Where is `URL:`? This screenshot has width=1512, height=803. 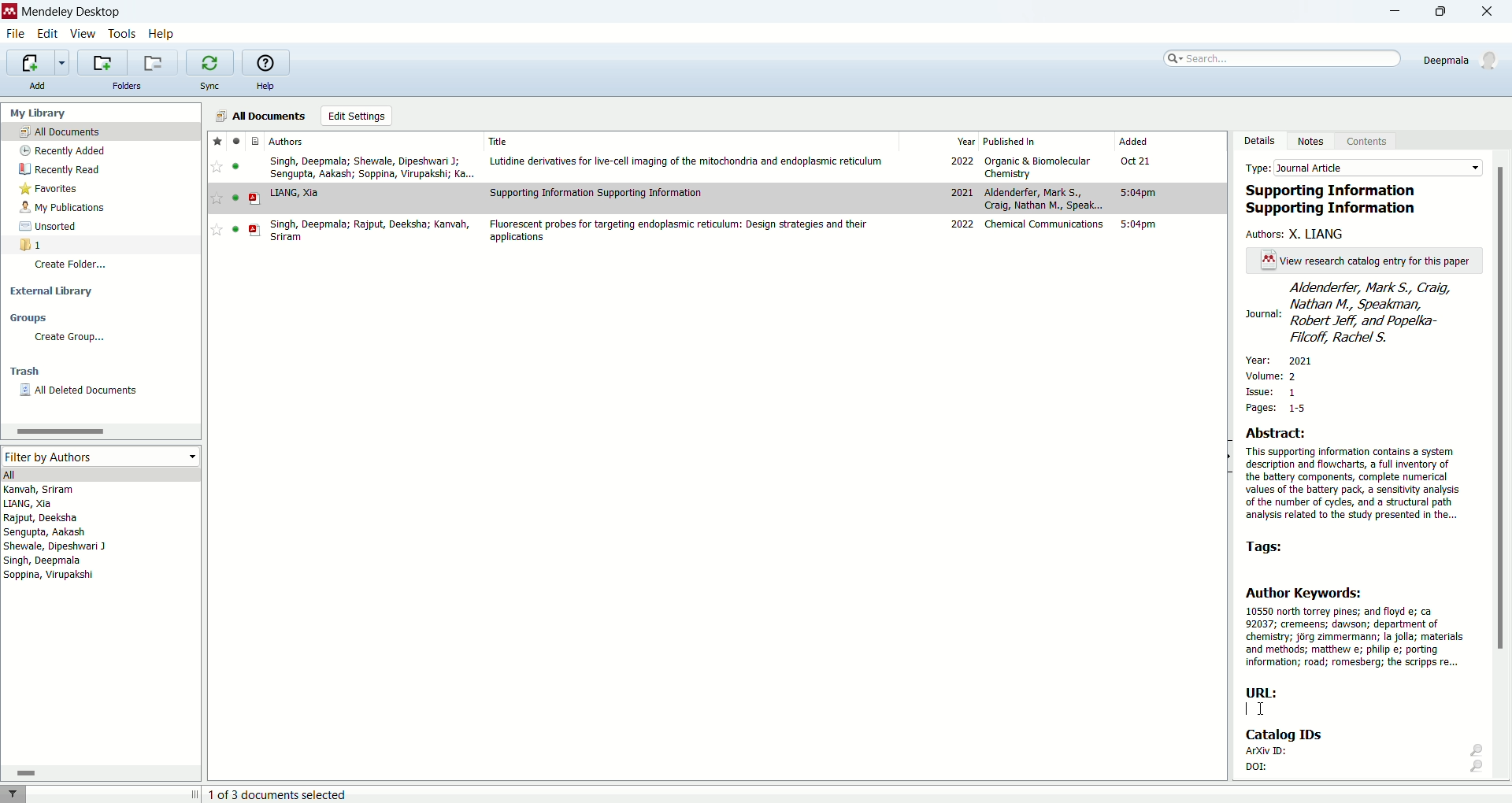 URL: is located at coordinates (1263, 692).